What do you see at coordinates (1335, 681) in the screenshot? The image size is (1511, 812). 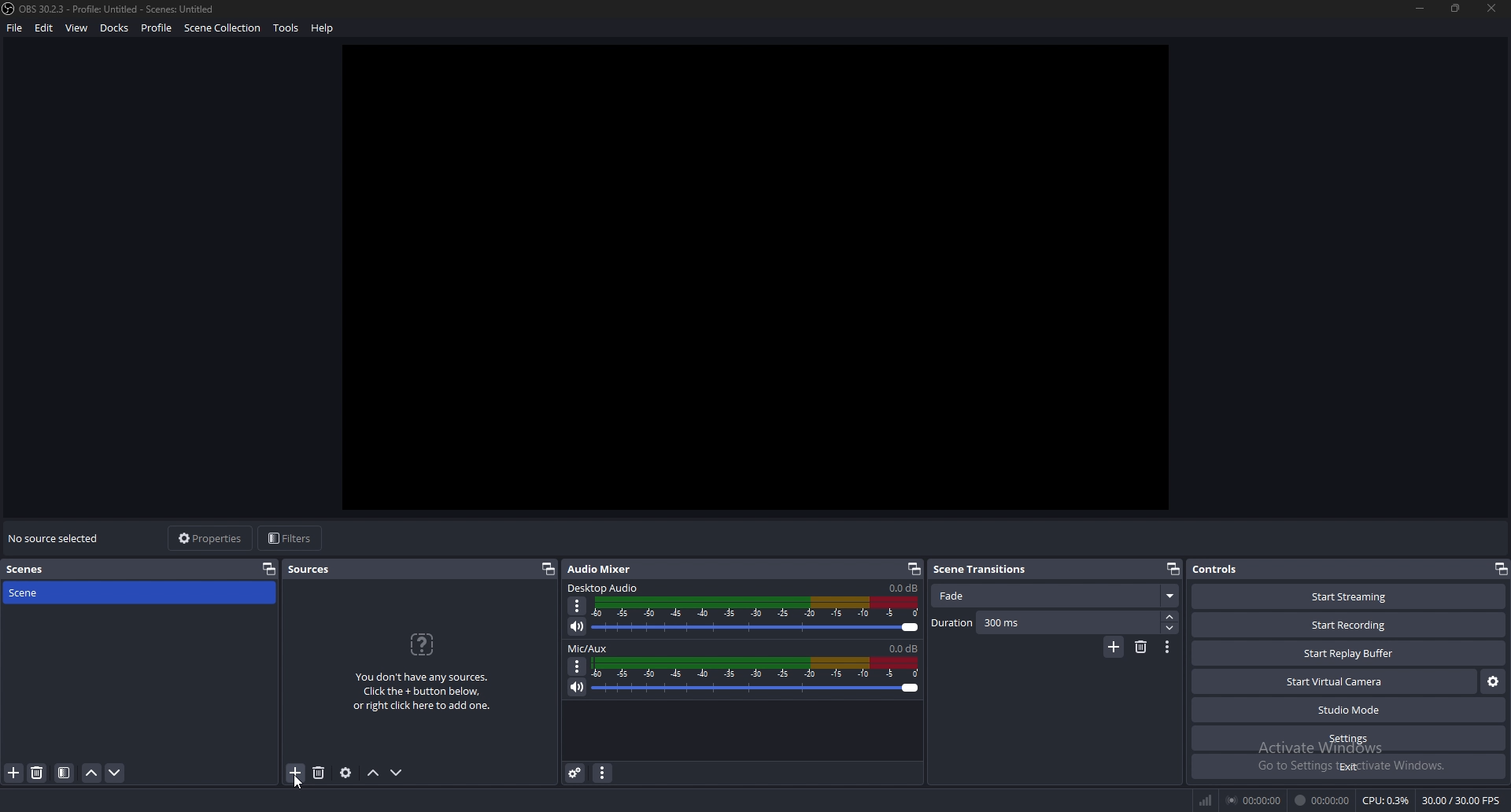 I see `start virtual camera` at bounding box center [1335, 681].